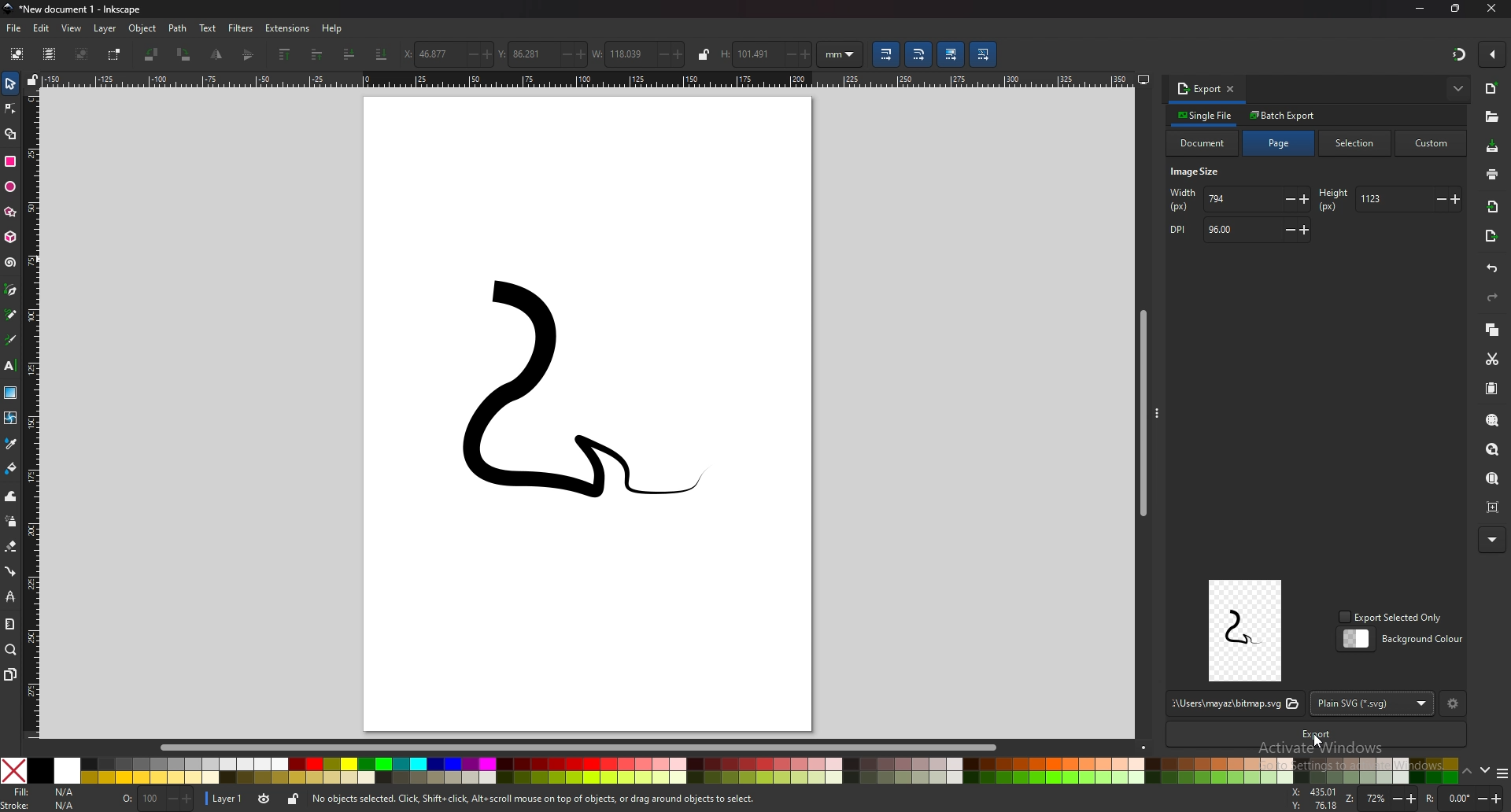  Describe the element at coordinates (49, 54) in the screenshot. I see `select all in all layers` at that location.